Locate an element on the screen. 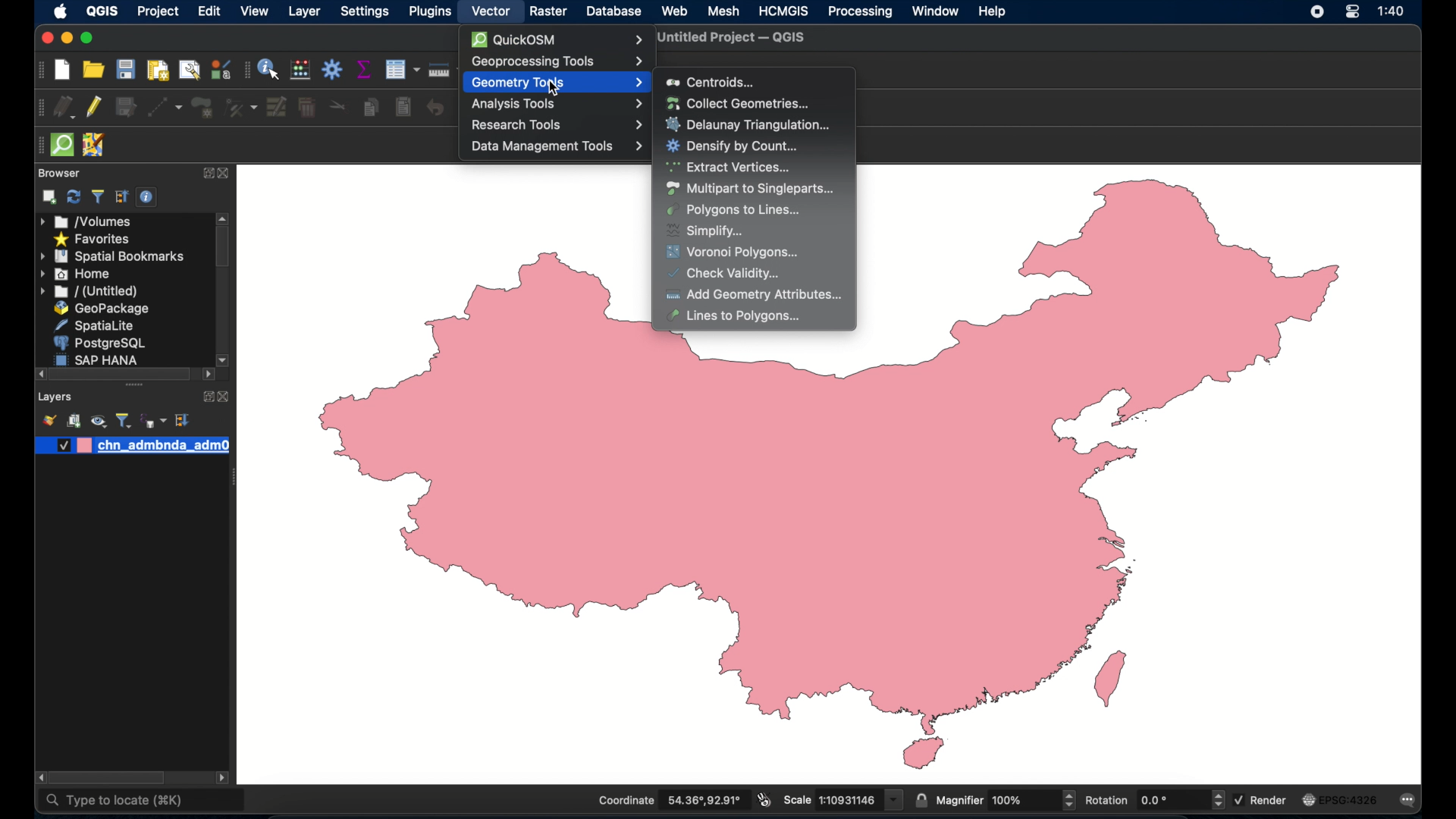 This screenshot has height=819, width=1456. centroids is located at coordinates (711, 82).